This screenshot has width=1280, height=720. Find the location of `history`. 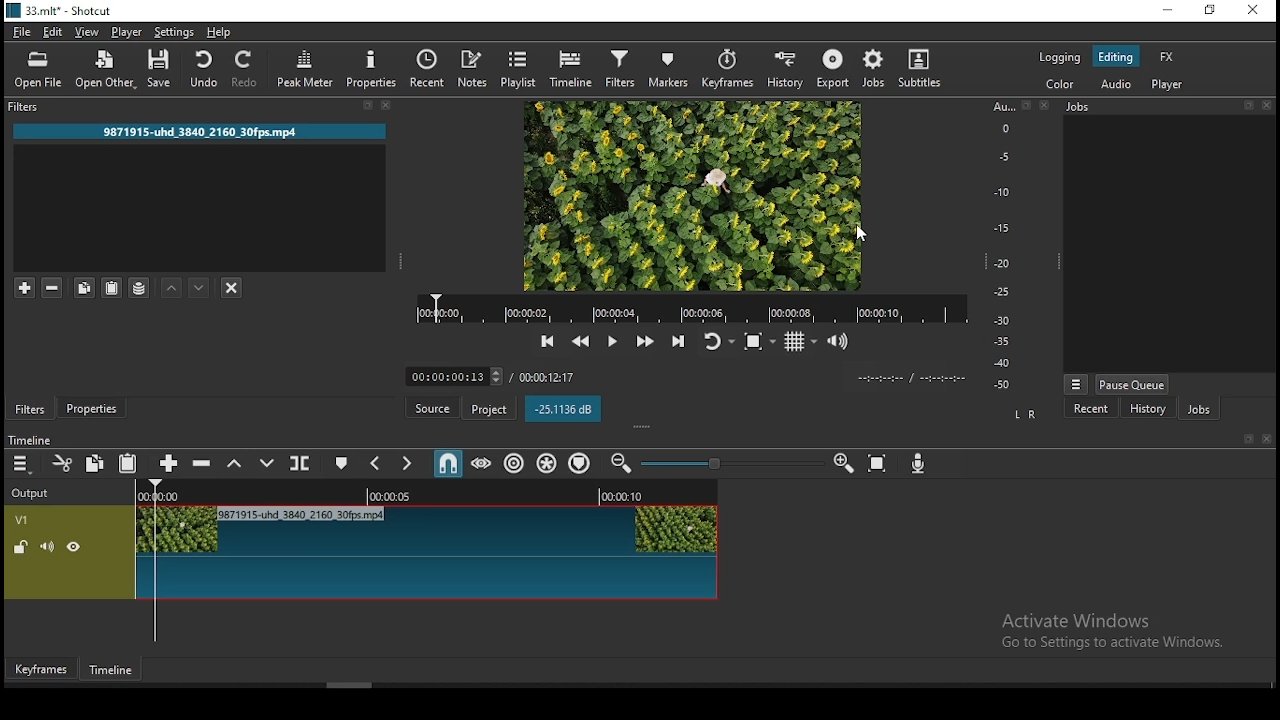

history is located at coordinates (784, 68).